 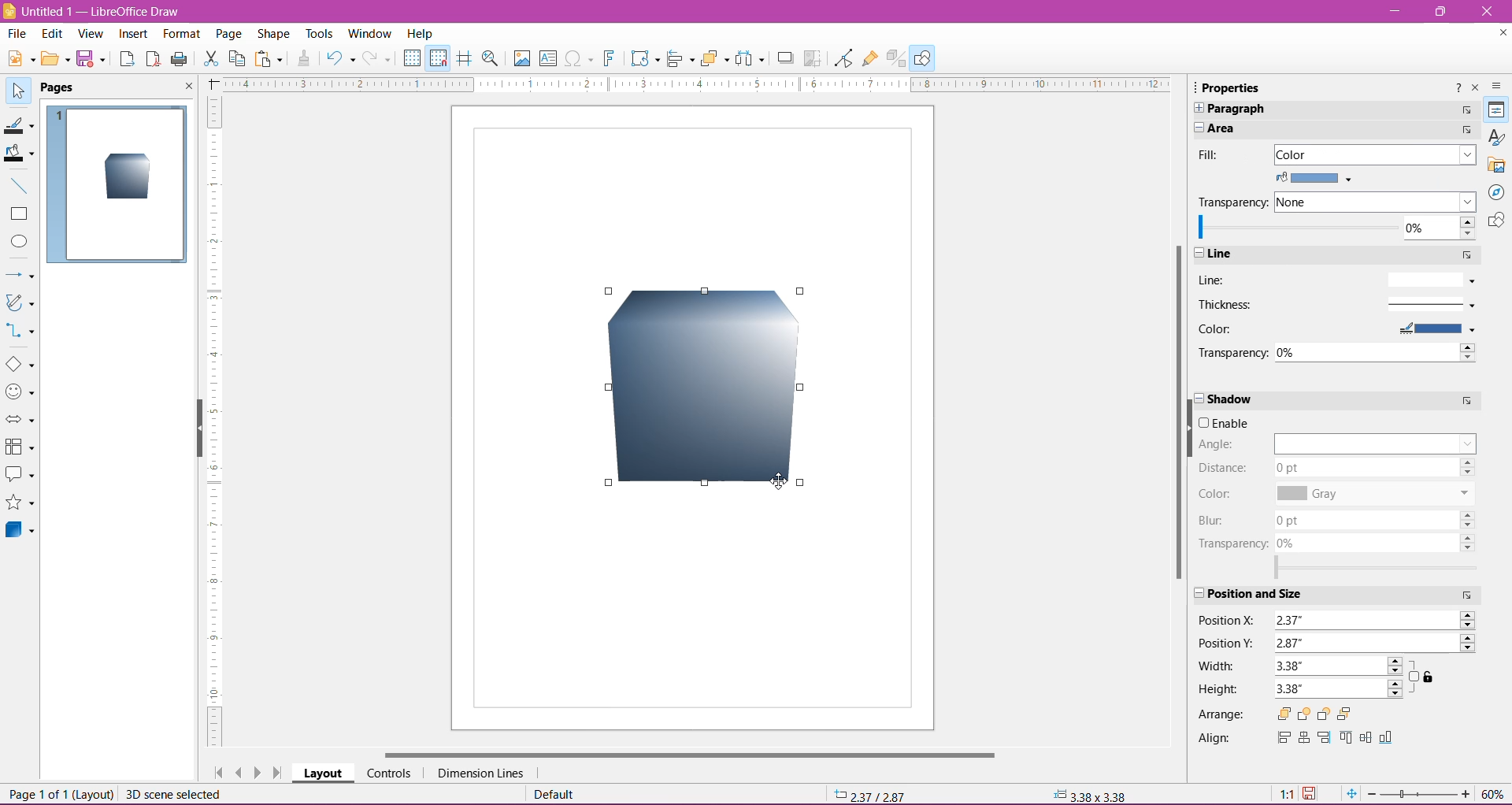 I want to click on Zoom and Pan, so click(x=492, y=61).